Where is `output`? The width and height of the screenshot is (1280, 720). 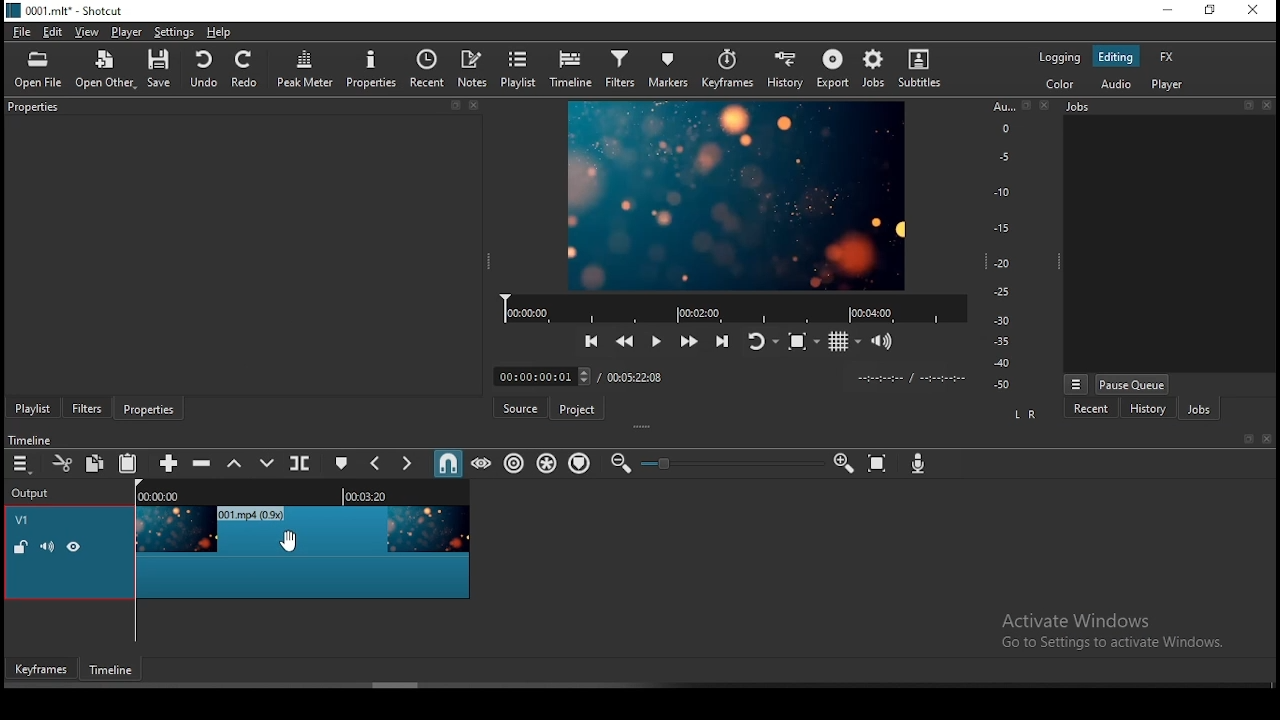
output is located at coordinates (38, 493).